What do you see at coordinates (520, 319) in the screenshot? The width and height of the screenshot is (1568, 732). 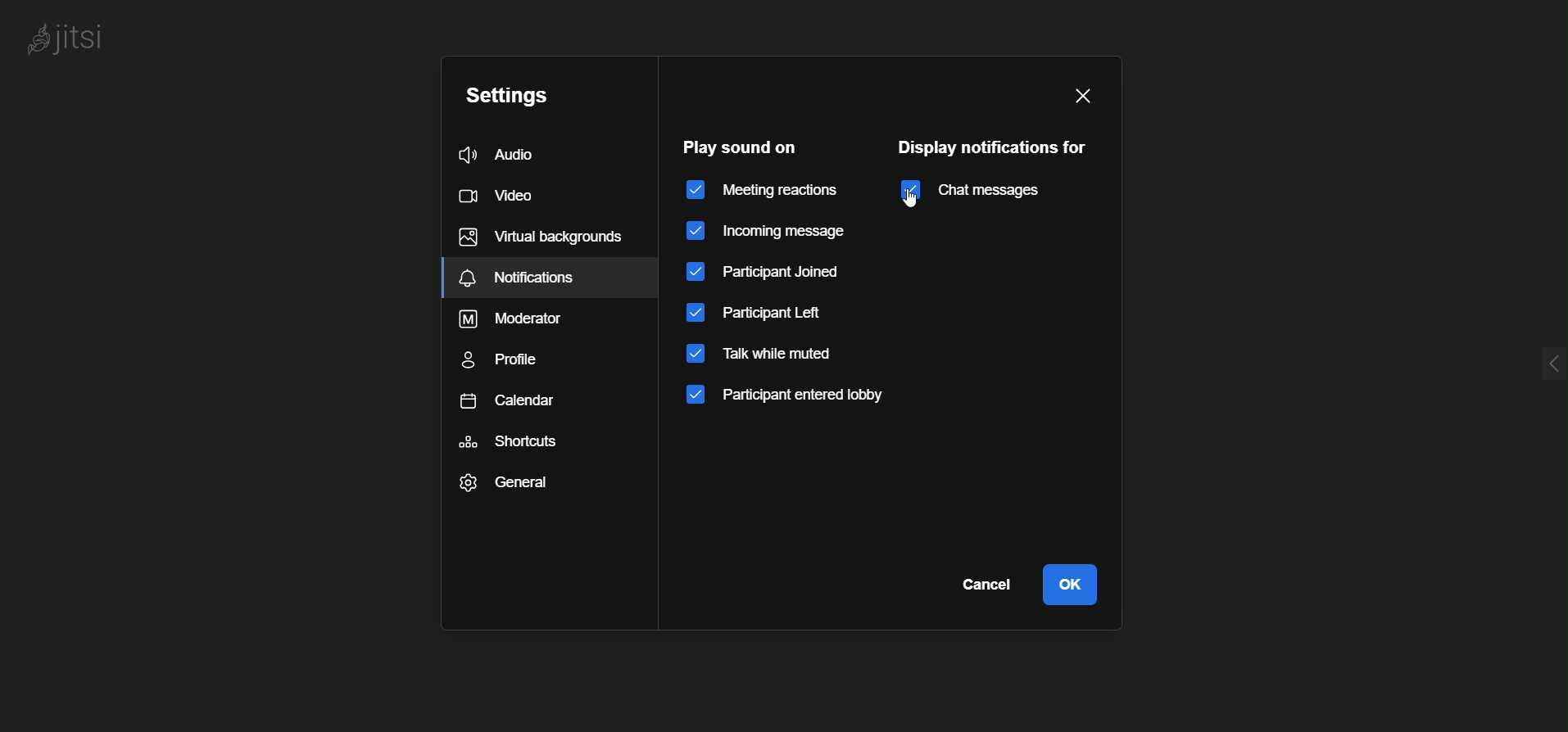 I see `moderator` at bounding box center [520, 319].